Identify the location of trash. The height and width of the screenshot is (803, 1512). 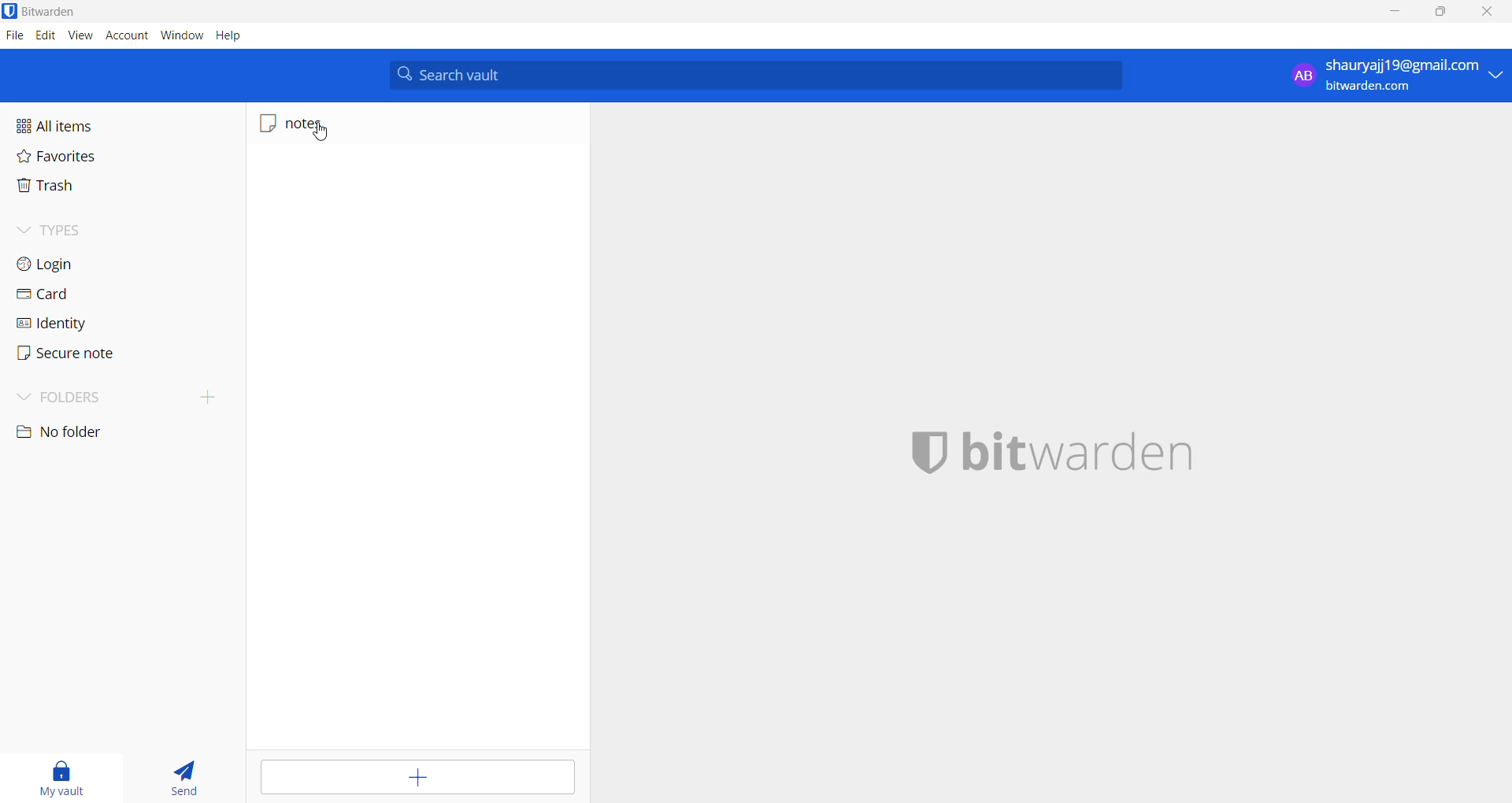
(69, 187).